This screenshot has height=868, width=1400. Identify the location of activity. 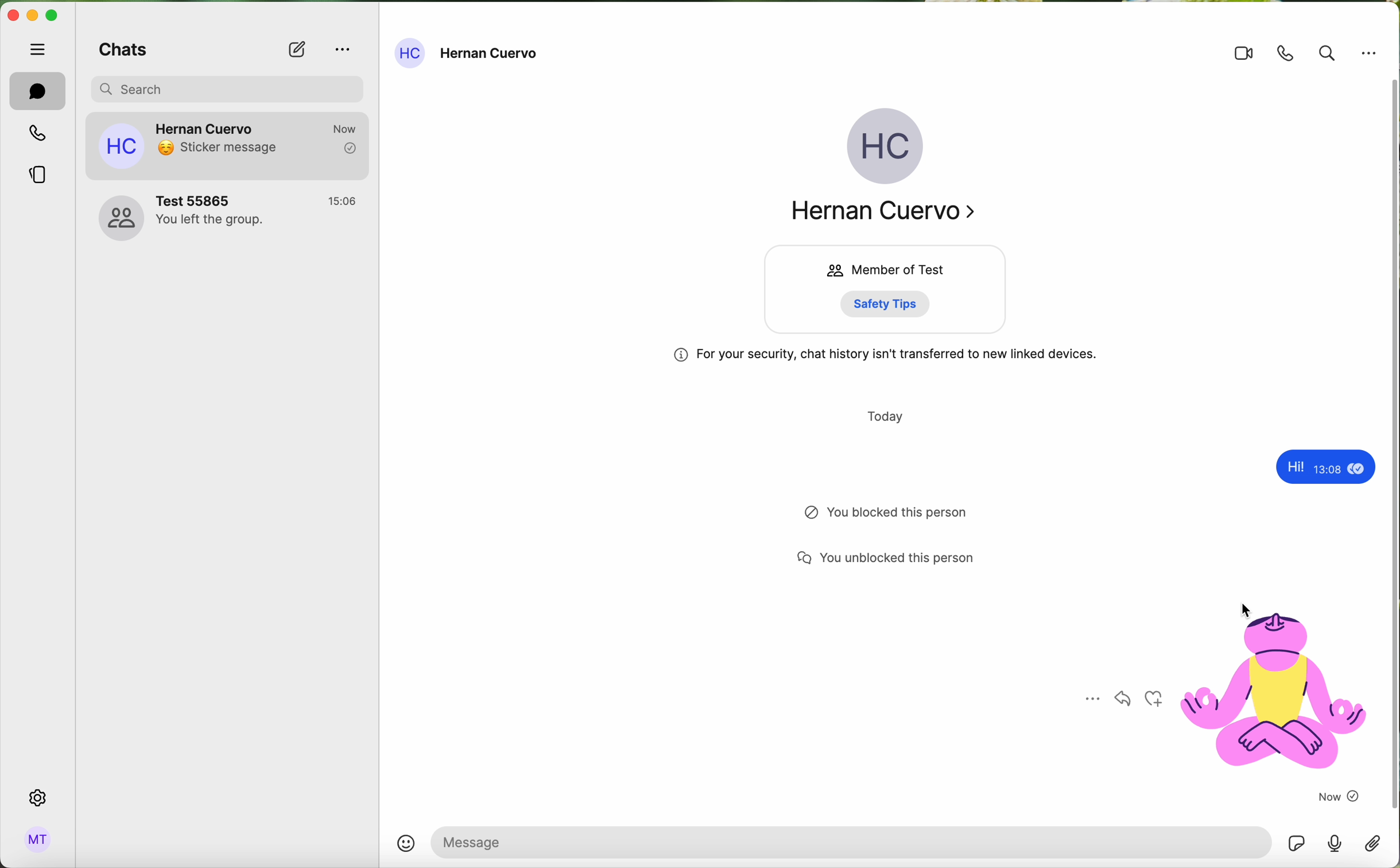
(893, 517).